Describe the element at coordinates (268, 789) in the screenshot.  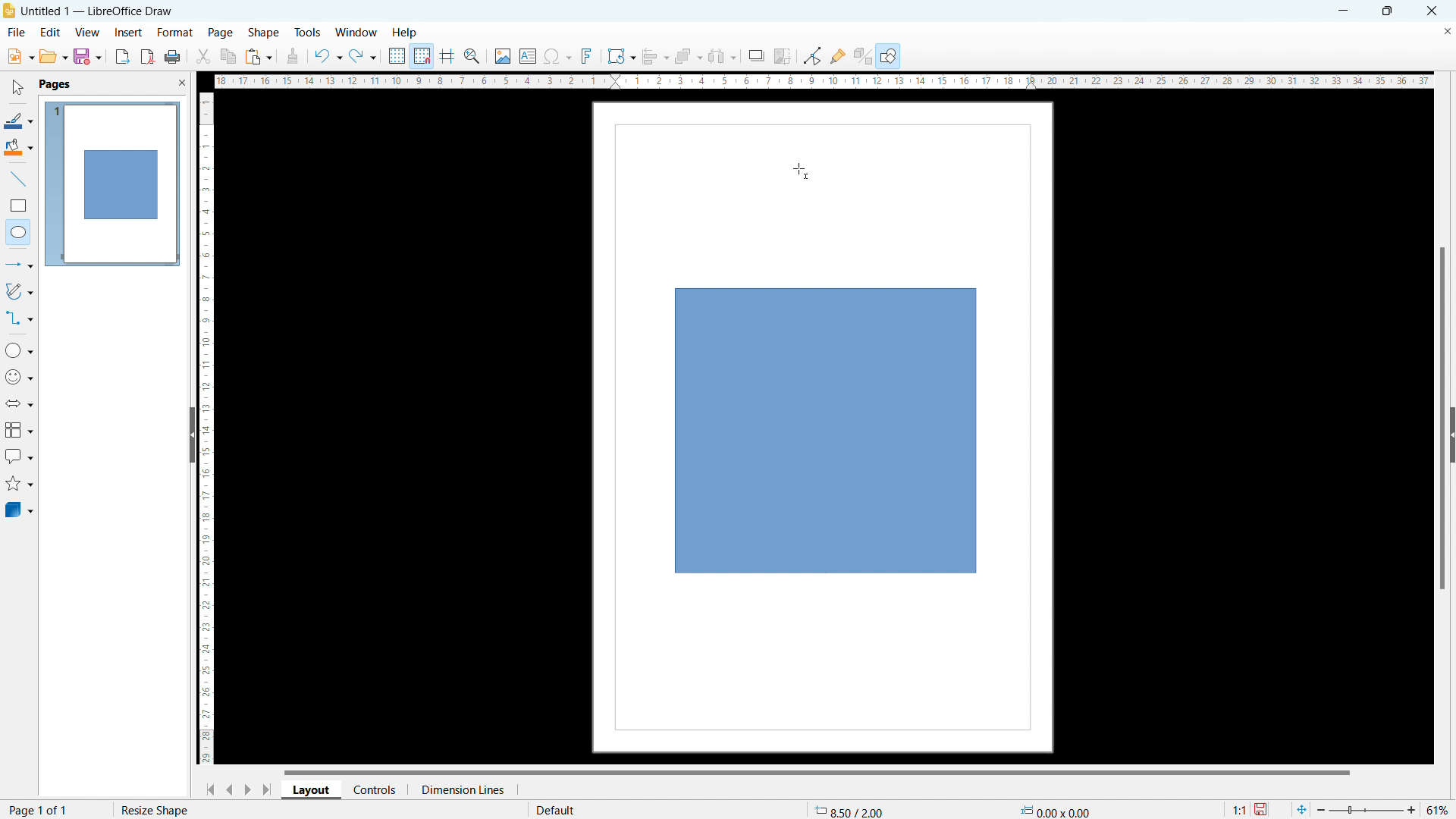
I see `go to last page` at that location.